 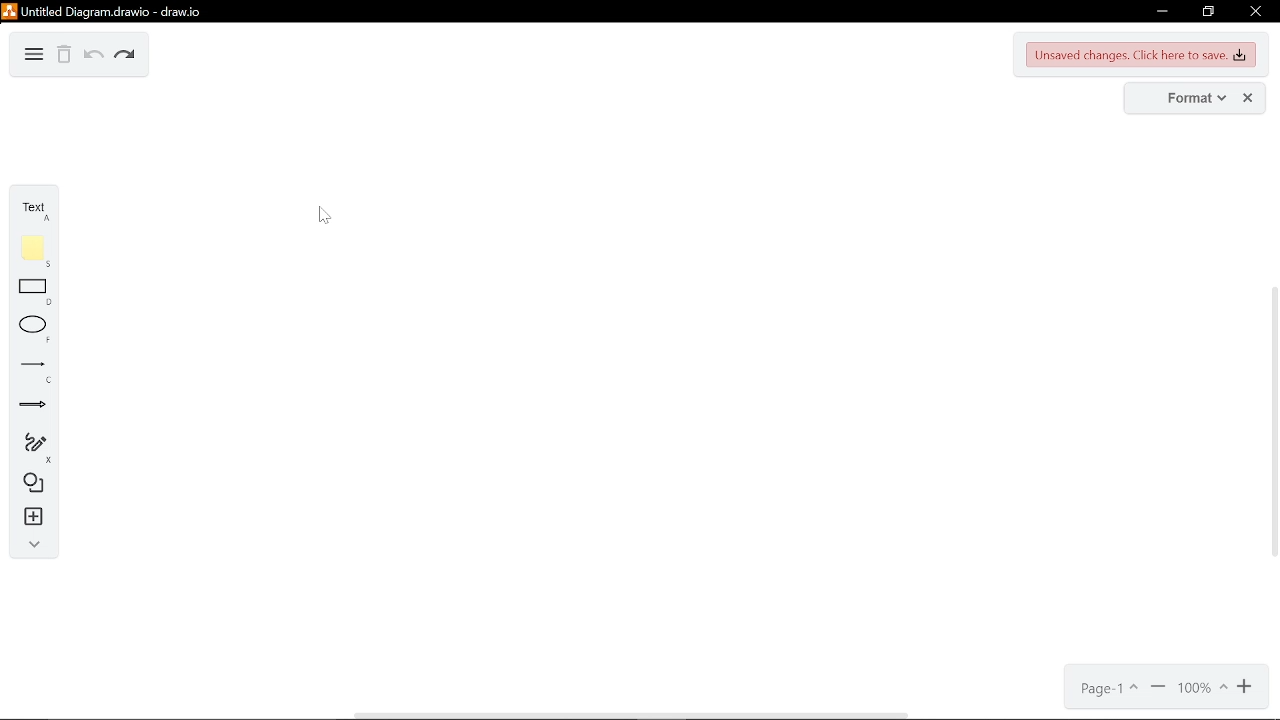 What do you see at coordinates (1158, 689) in the screenshot?
I see `zoom in` at bounding box center [1158, 689].